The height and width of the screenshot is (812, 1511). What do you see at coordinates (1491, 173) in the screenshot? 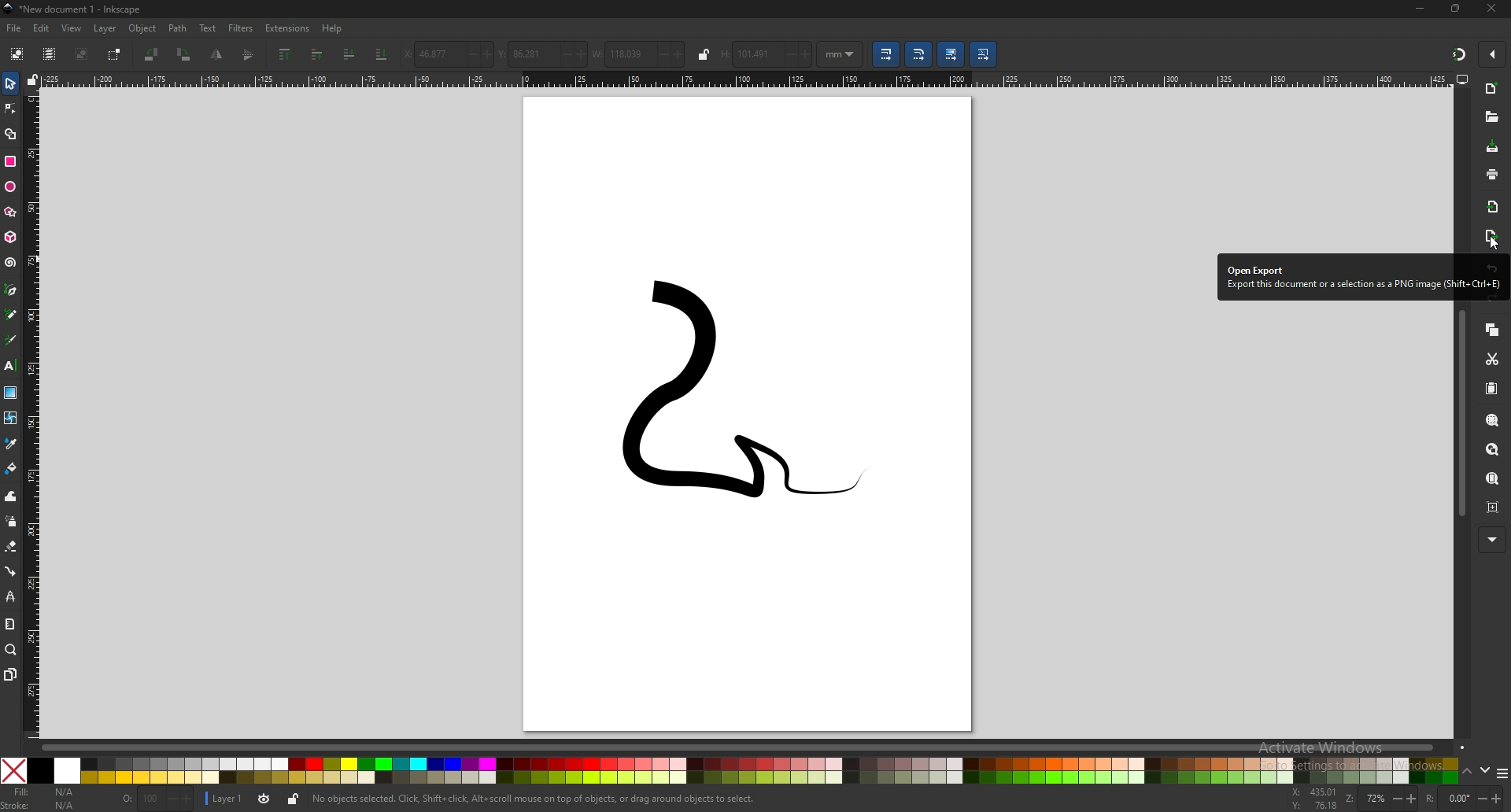
I see `print` at bounding box center [1491, 173].